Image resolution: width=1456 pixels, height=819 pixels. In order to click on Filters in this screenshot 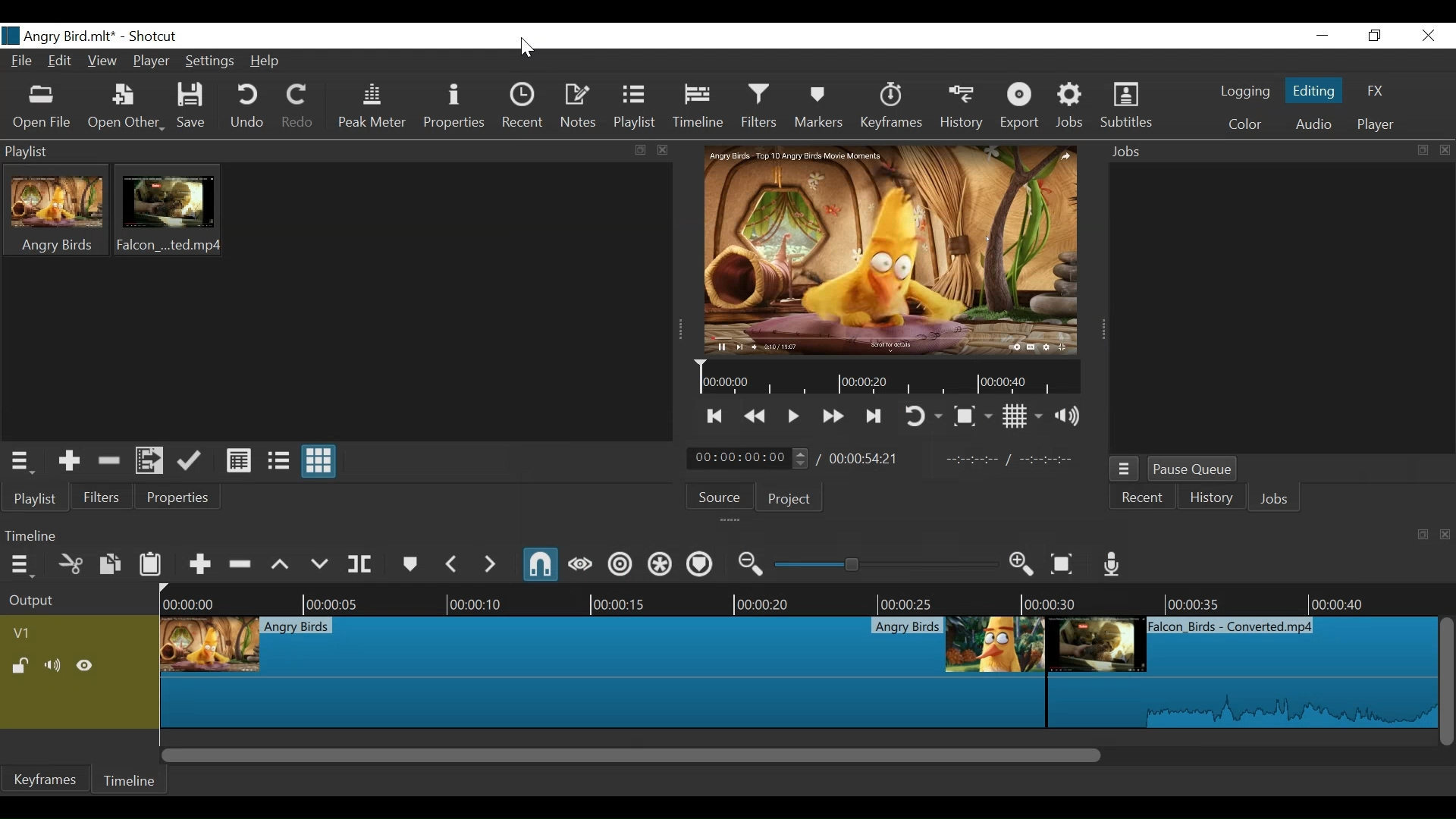, I will do `click(99, 496)`.